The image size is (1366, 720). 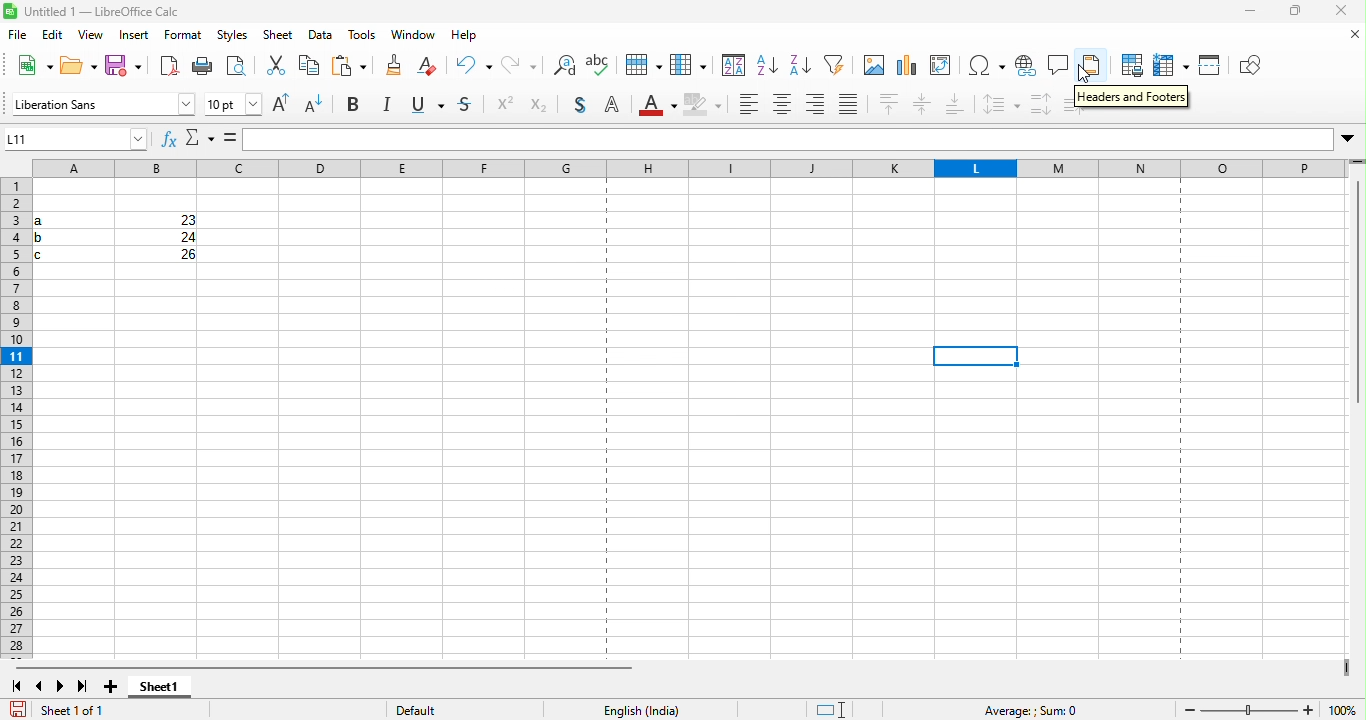 I want to click on chat, so click(x=870, y=67).